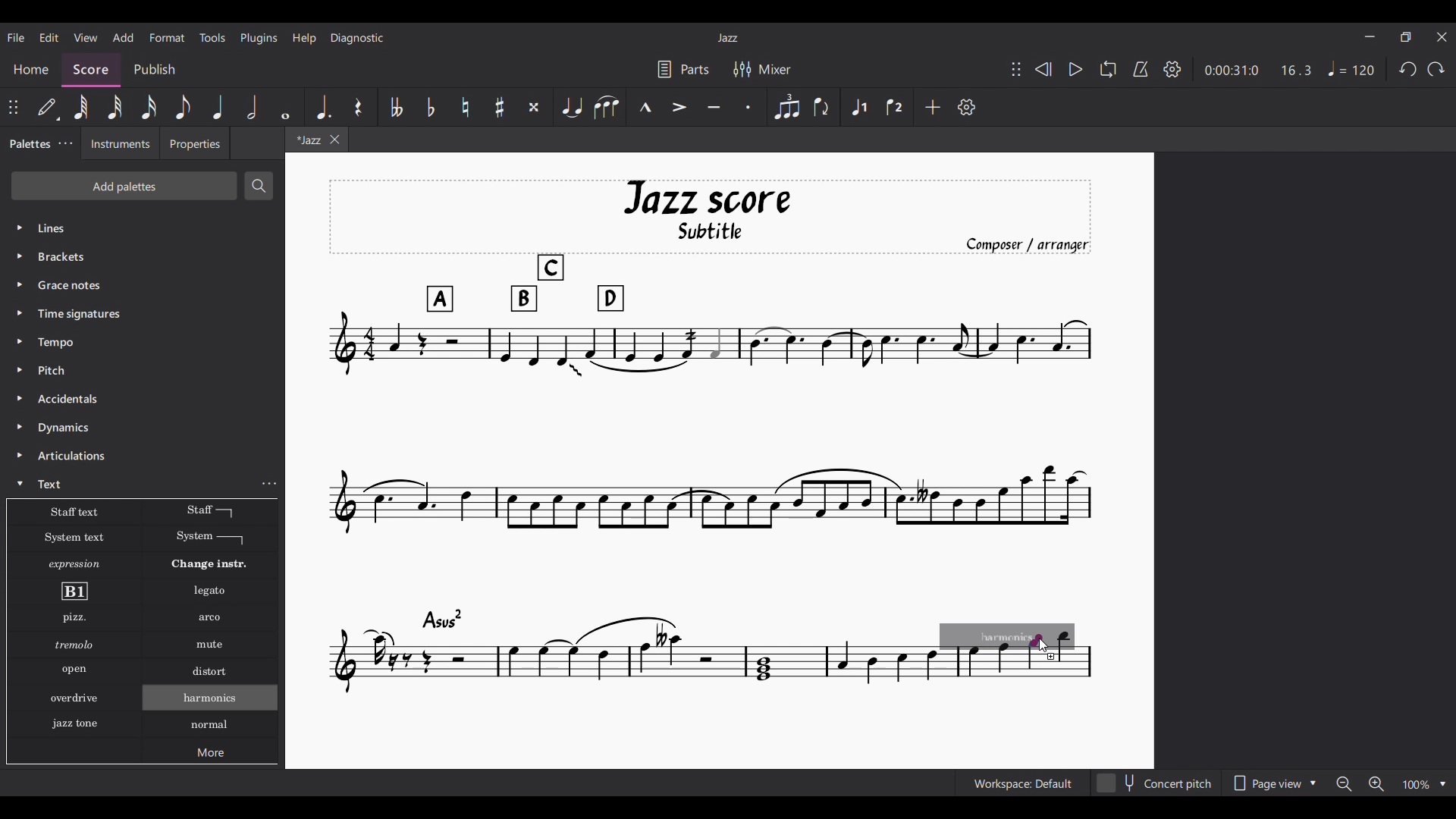 This screenshot has width=1456, height=819. I want to click on Palettes, so click(27, 147).